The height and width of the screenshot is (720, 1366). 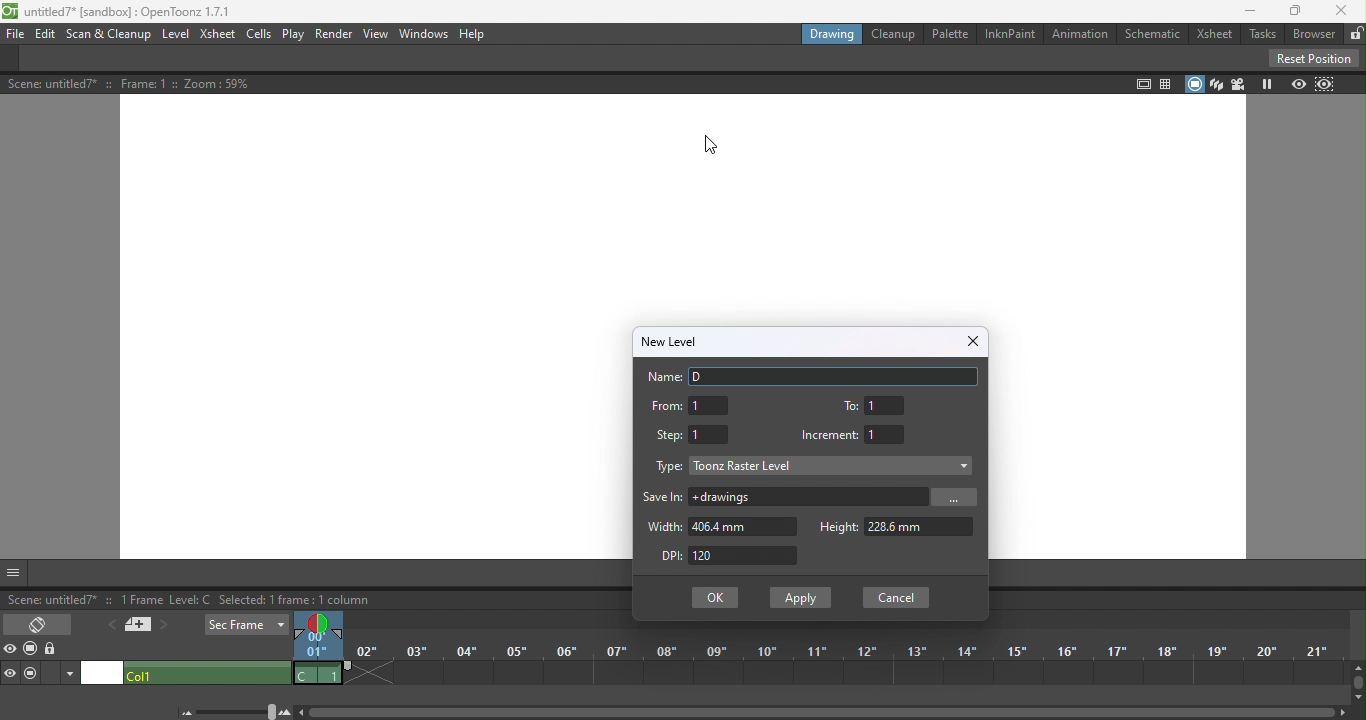 I want to click on Browse, so click(x=958, y=498).